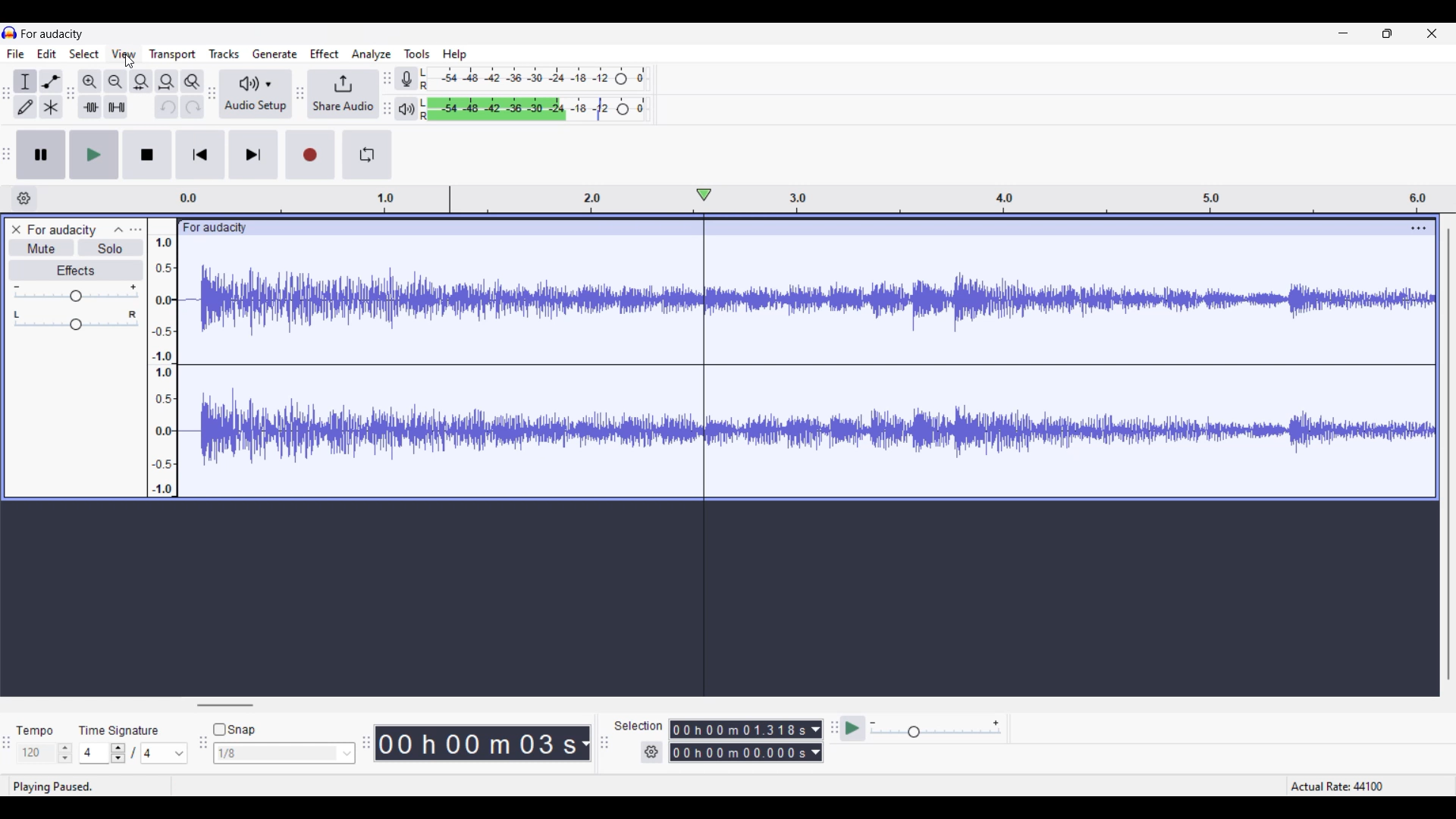 The image size is (1456, 819). Describe the element at coordinates (367, 155) in the screenshot. I see `Enable looping` at that location.